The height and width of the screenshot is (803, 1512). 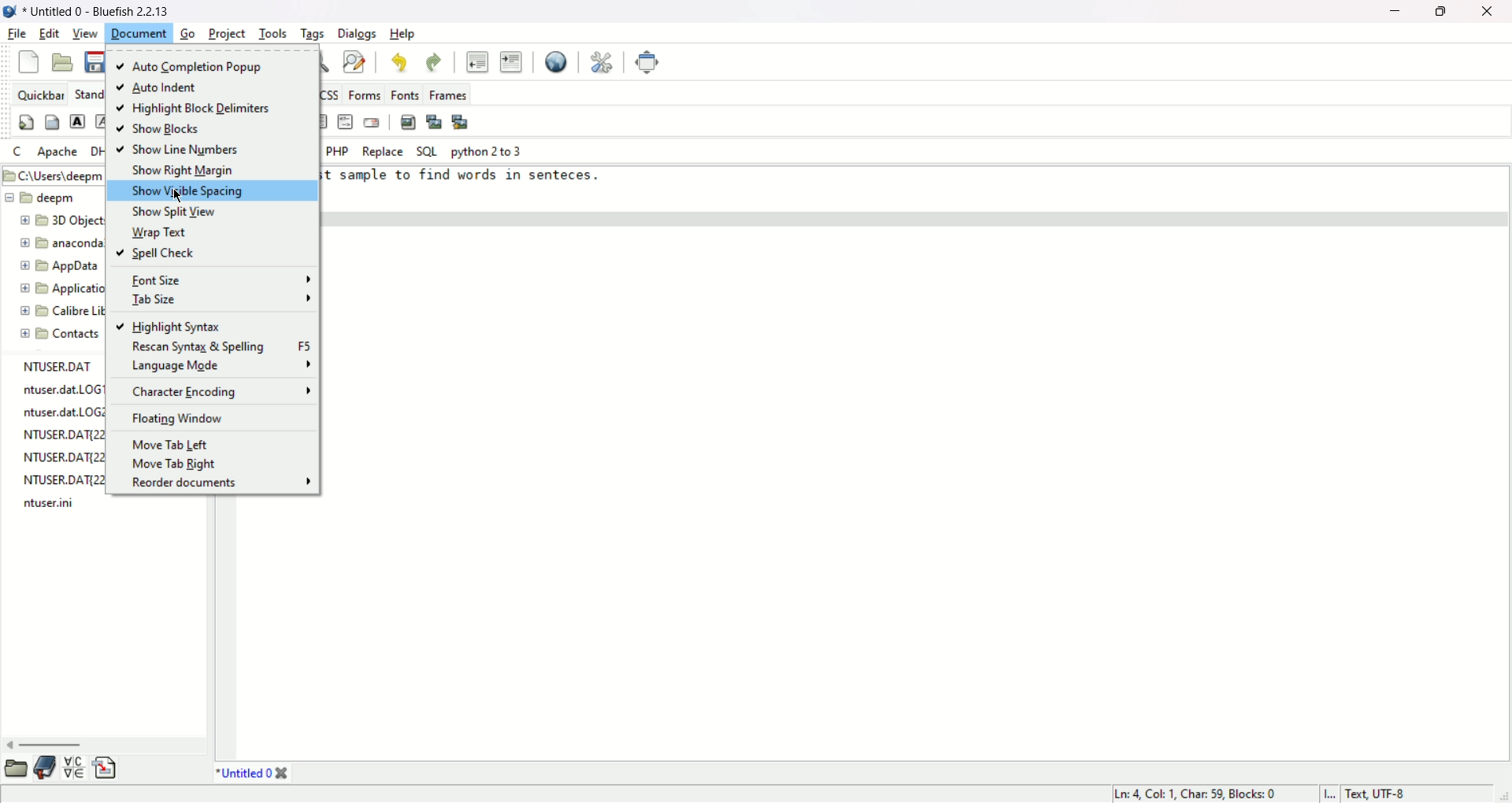 I want to click on 3D Objects, so click(x=55, y=221).